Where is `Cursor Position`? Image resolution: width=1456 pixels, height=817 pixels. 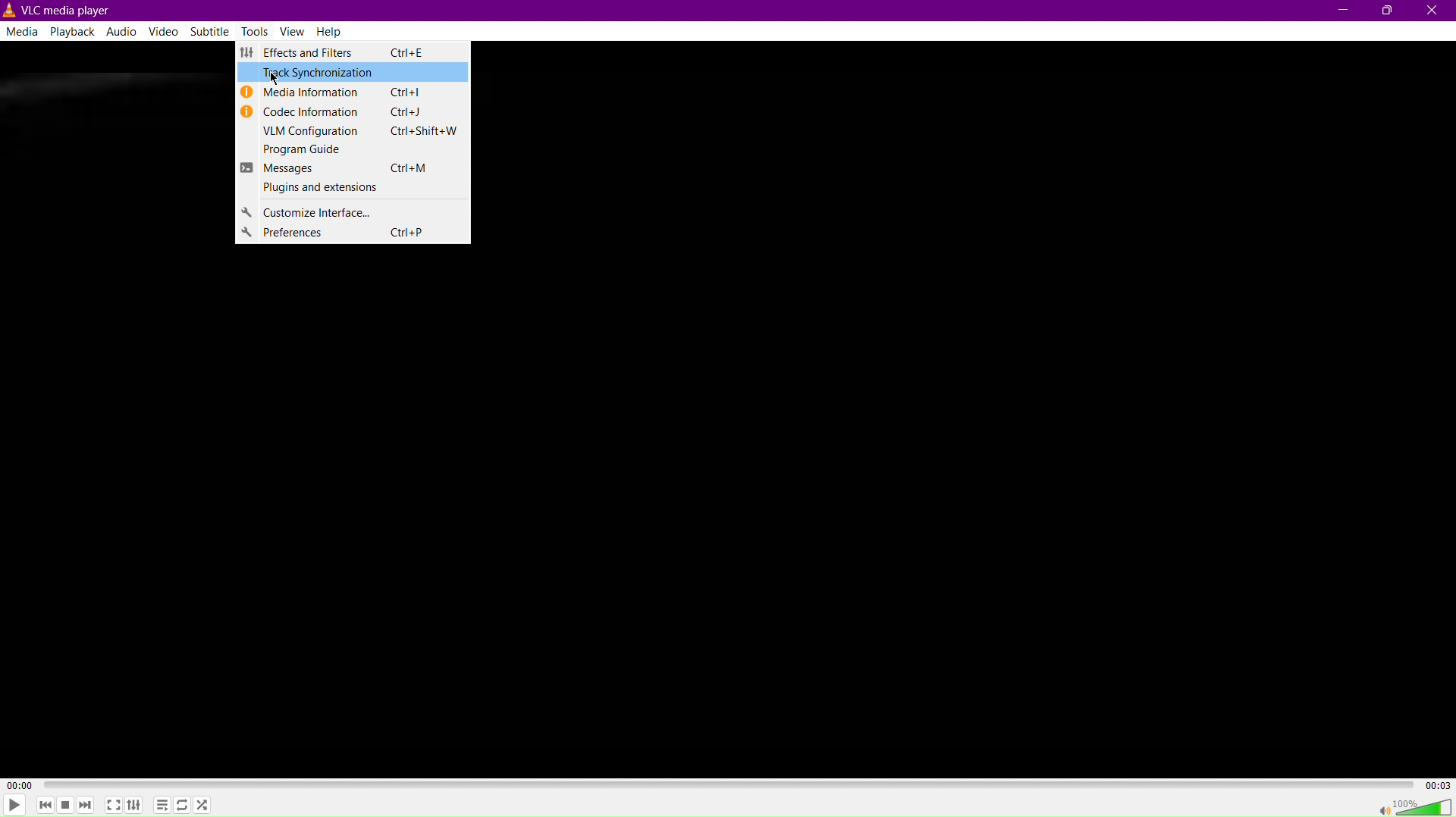 Cursor Position is located at coordinates (273, 74).